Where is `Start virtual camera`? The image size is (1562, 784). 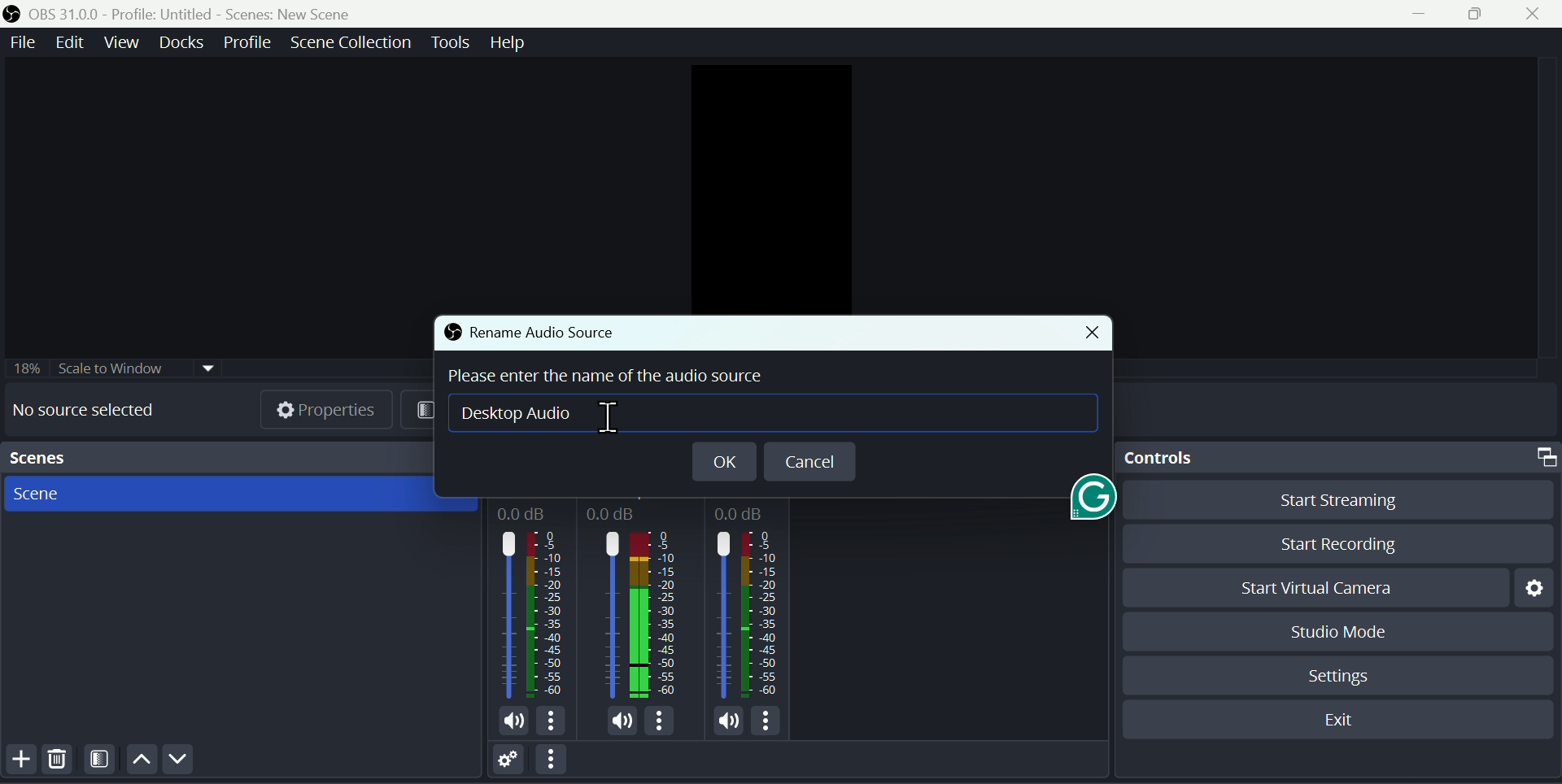 Start virtual camera is located at coordinates (1315, 585).